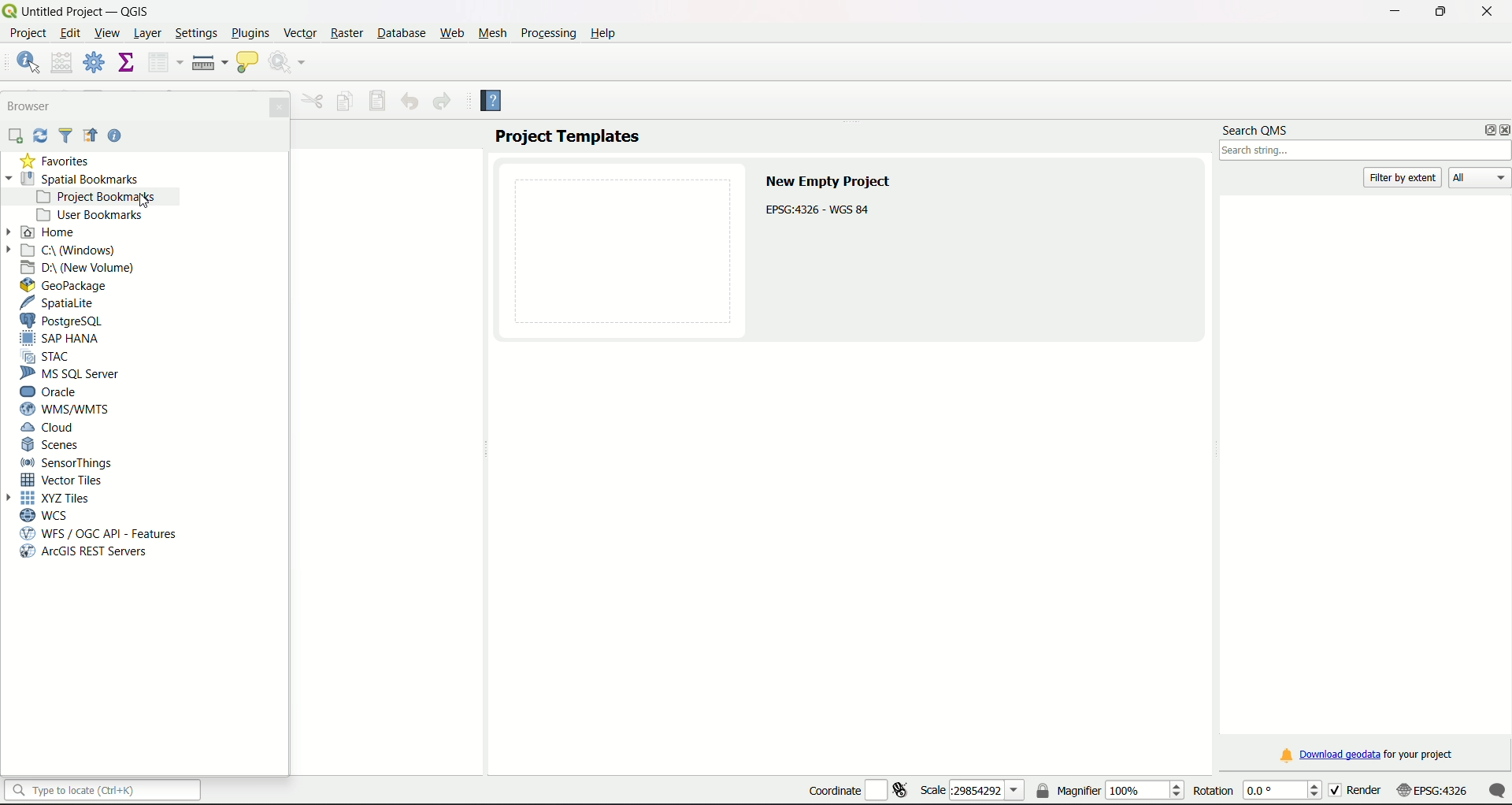 This screenshot has width=1512, height=805. What do you see at coordinates (148, 35) in the screenshot?
I see `Layer` at bounding box center [148, 35].